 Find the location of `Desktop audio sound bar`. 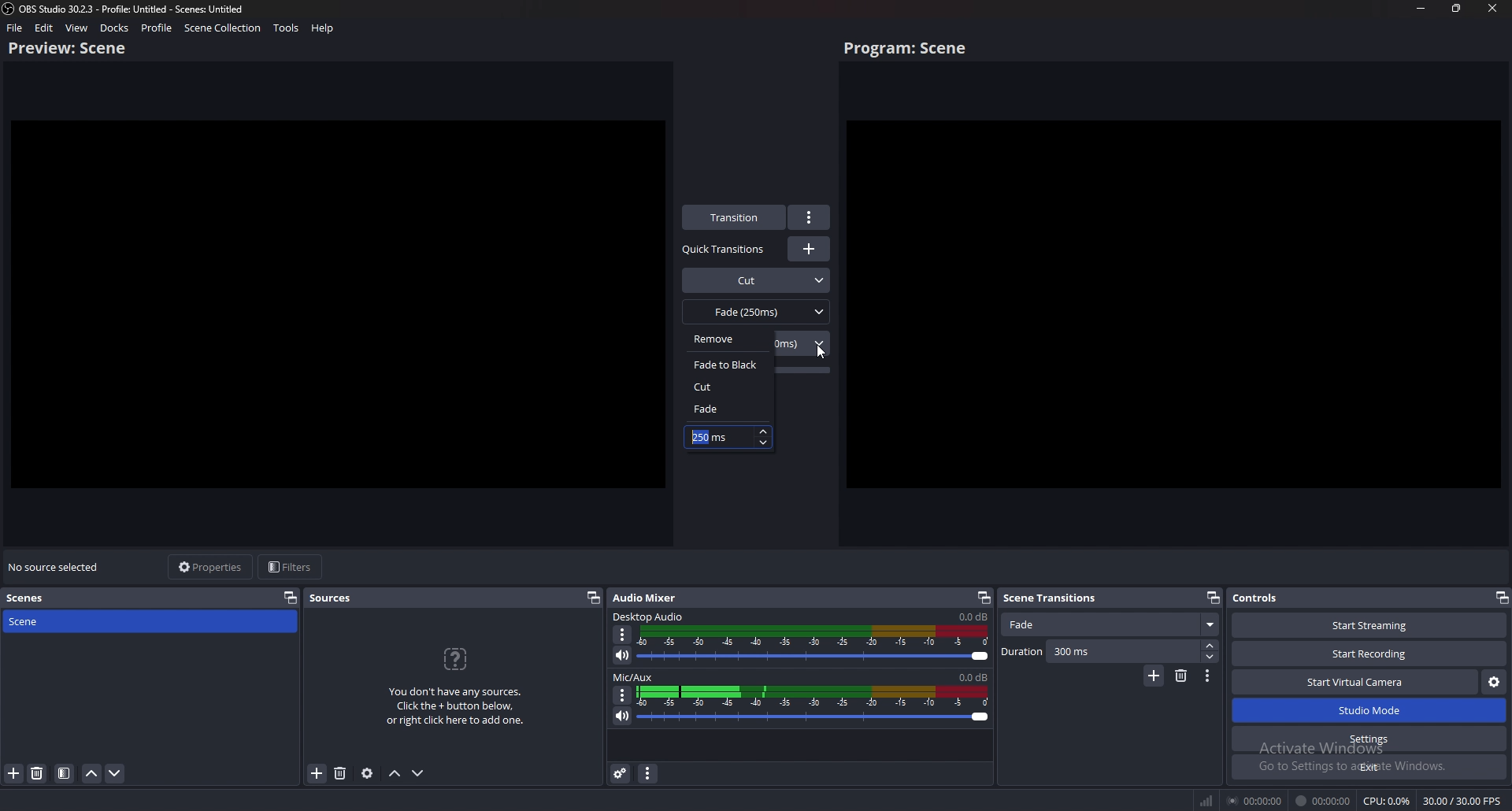

Desktop audio sound bar is located at coordinates (817, 646).